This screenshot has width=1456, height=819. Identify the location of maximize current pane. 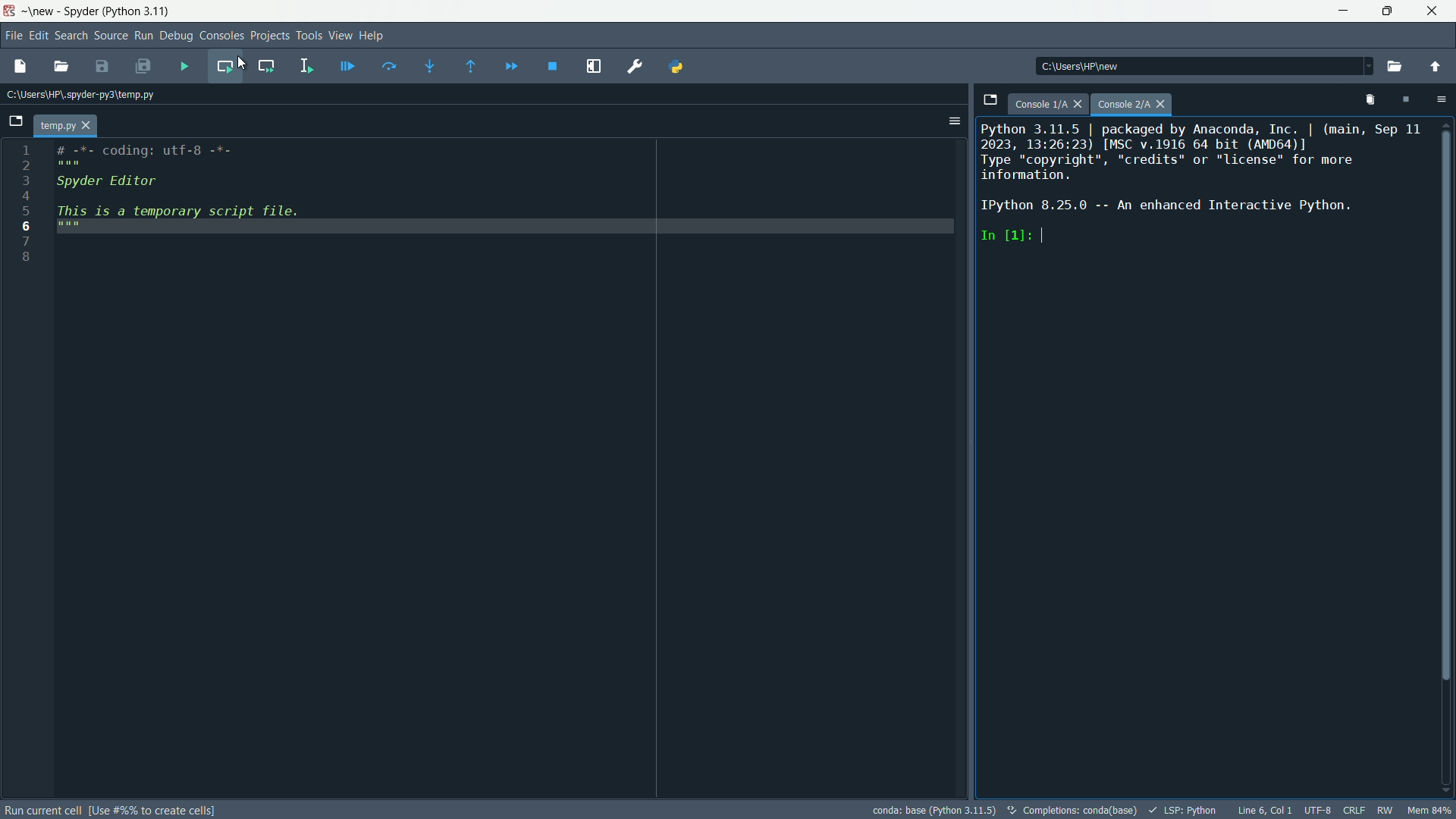
(593, 66).